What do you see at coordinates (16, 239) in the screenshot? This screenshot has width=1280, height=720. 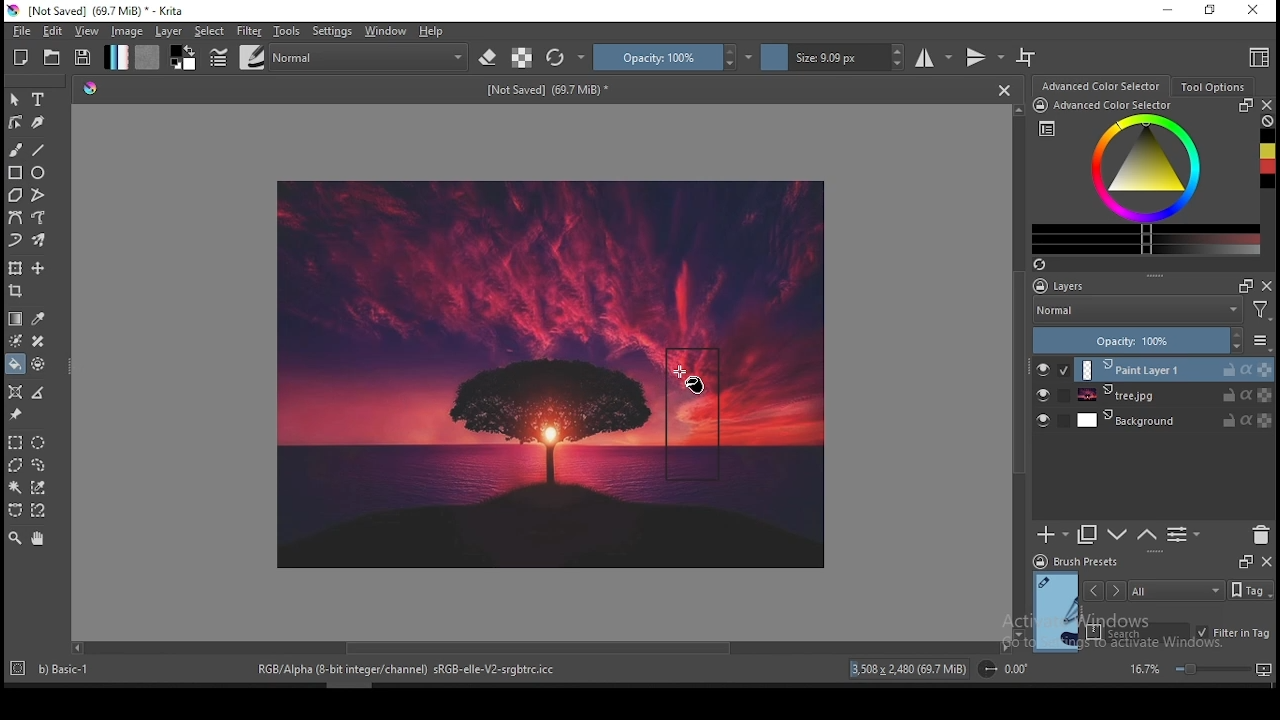 I see `dynamic brush tool` at bounding box center [16, 239].